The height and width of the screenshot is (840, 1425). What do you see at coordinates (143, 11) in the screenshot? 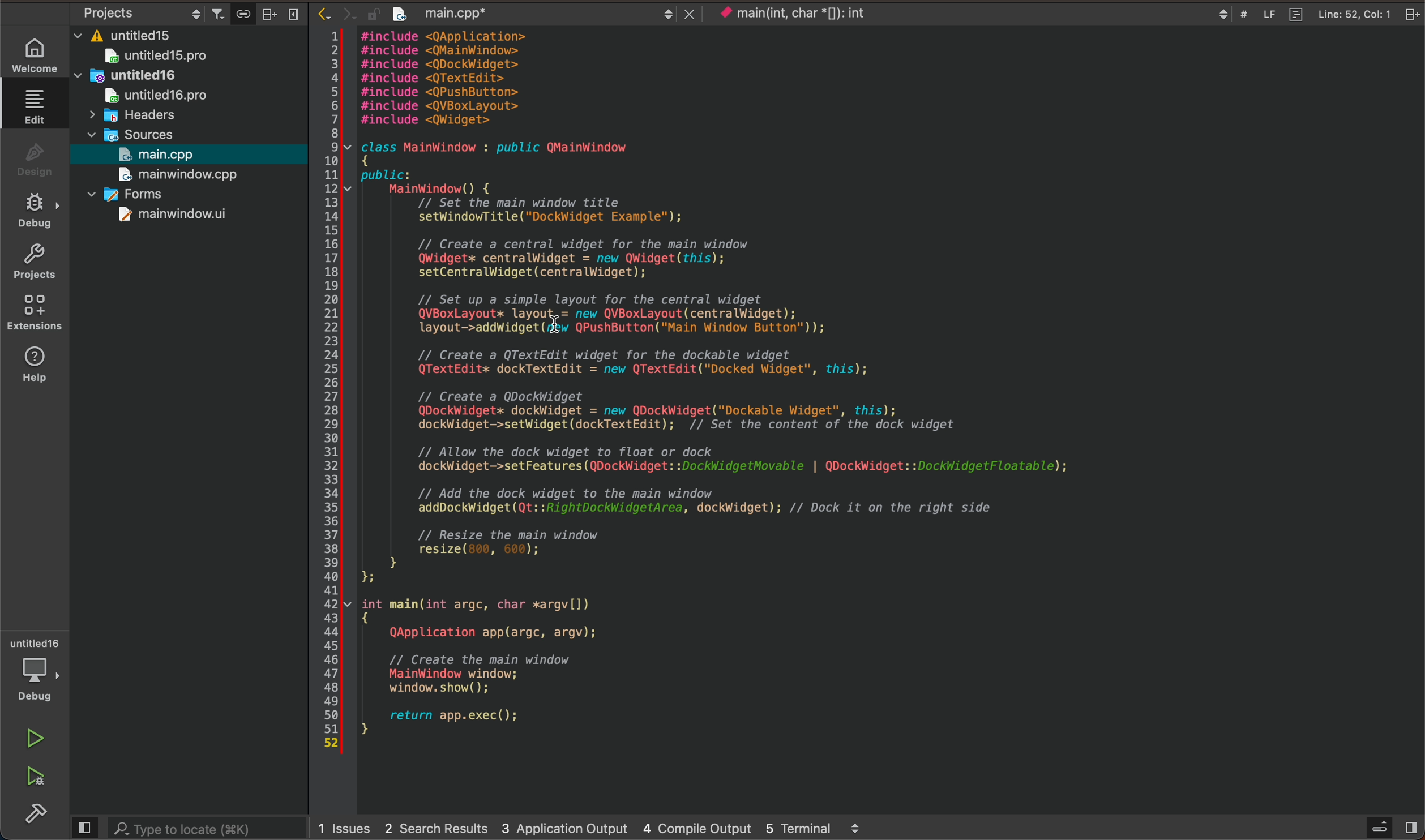
I see `object settings` at bounding box center [143, 11].